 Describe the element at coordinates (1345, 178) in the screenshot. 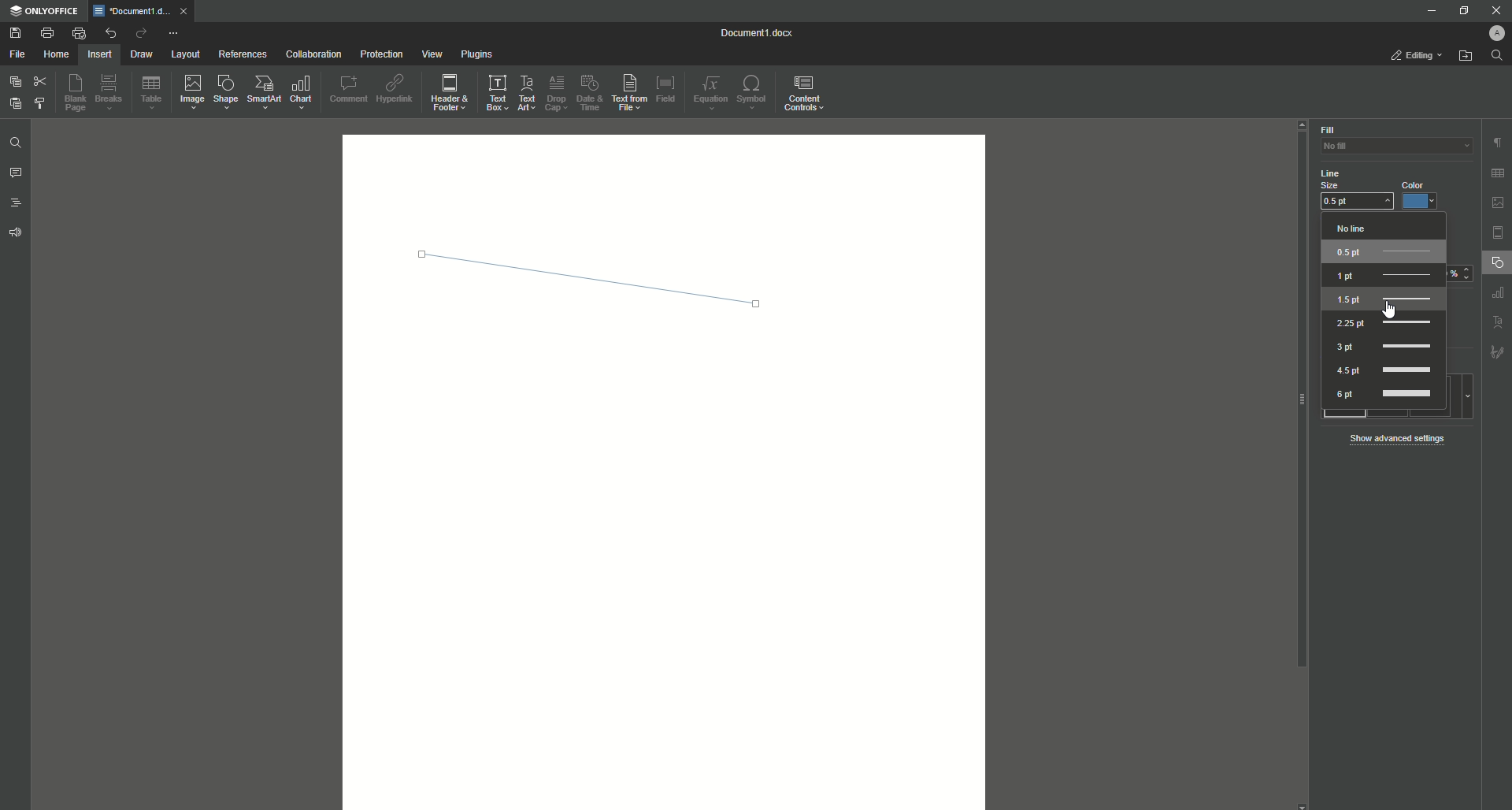

I see `Line Size` at that location.